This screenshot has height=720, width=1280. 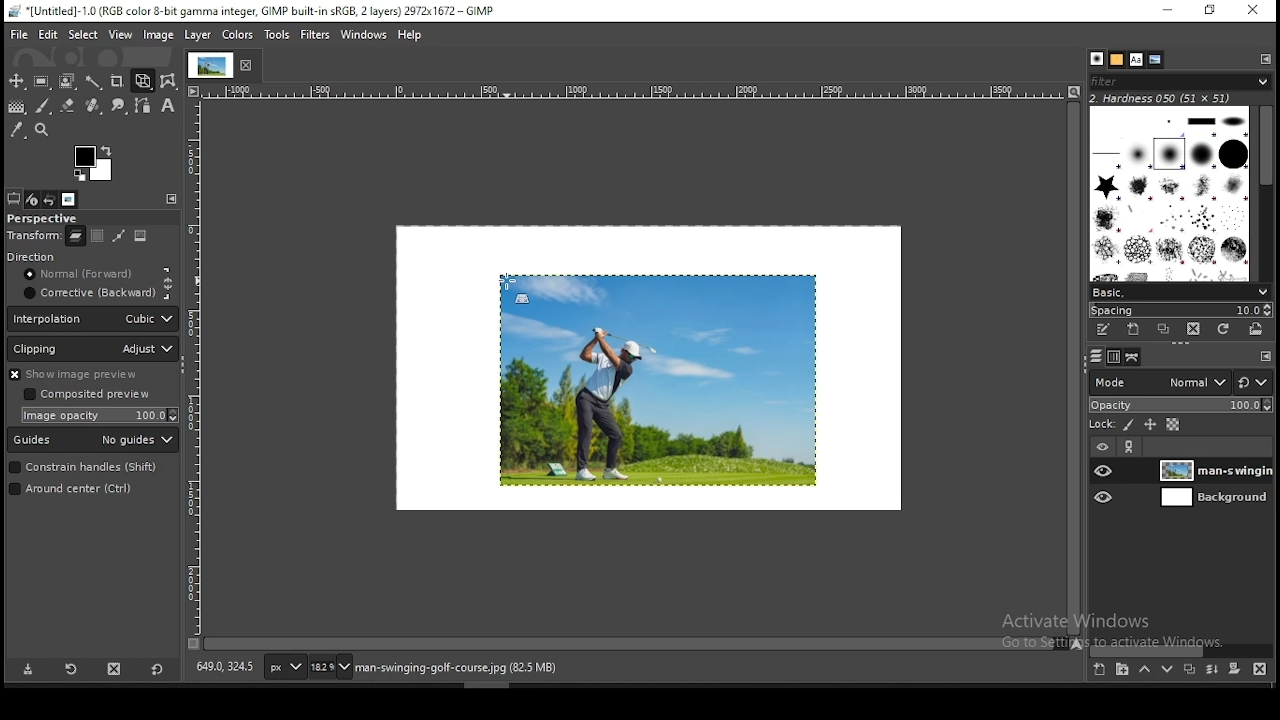 What do you see at coordinates (197, 366) in the screenshot?
I see `vertical scale` at bounding box center [197, 366].